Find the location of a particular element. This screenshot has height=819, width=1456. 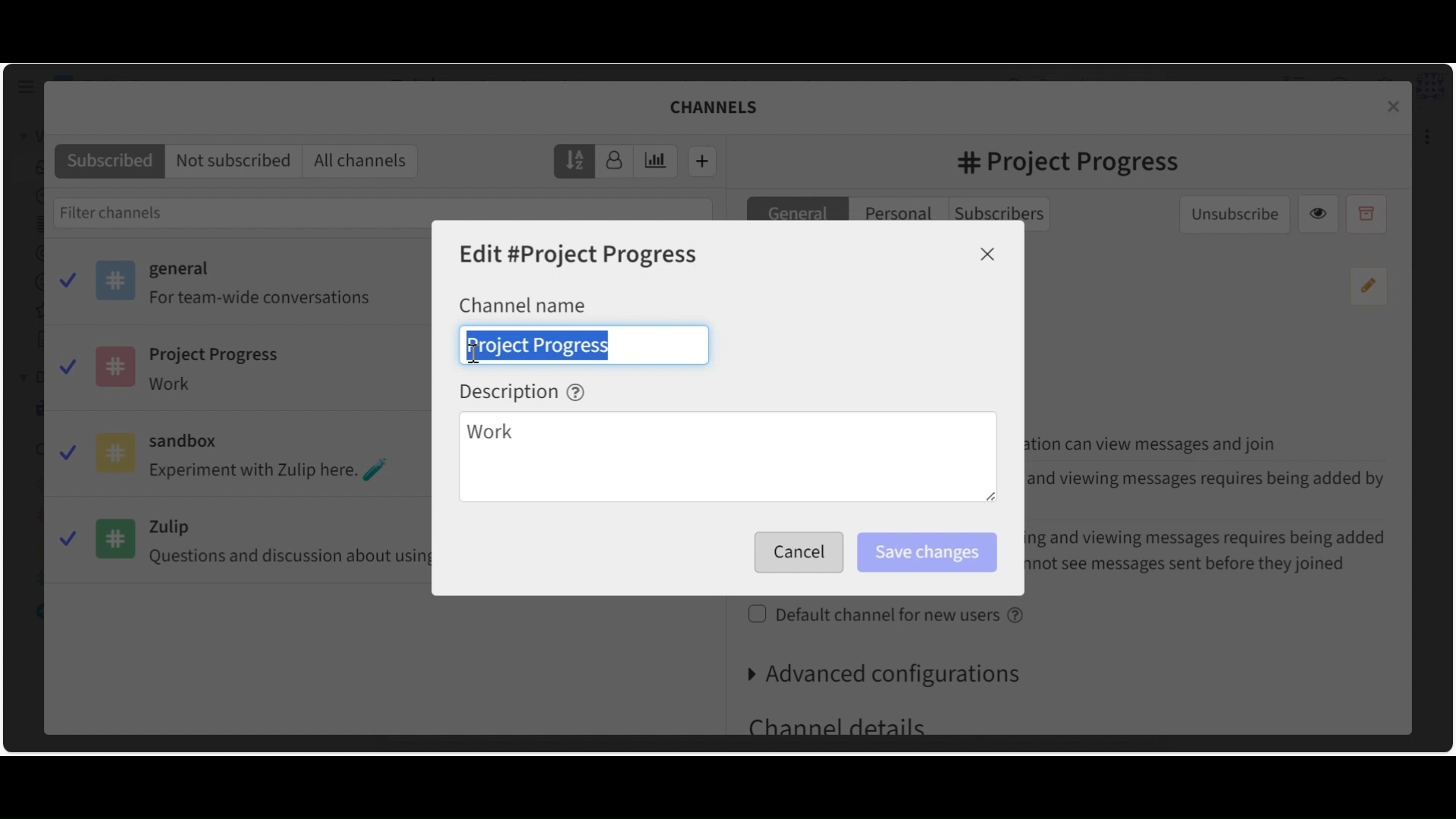

Close is located at coordinates (988, 254).